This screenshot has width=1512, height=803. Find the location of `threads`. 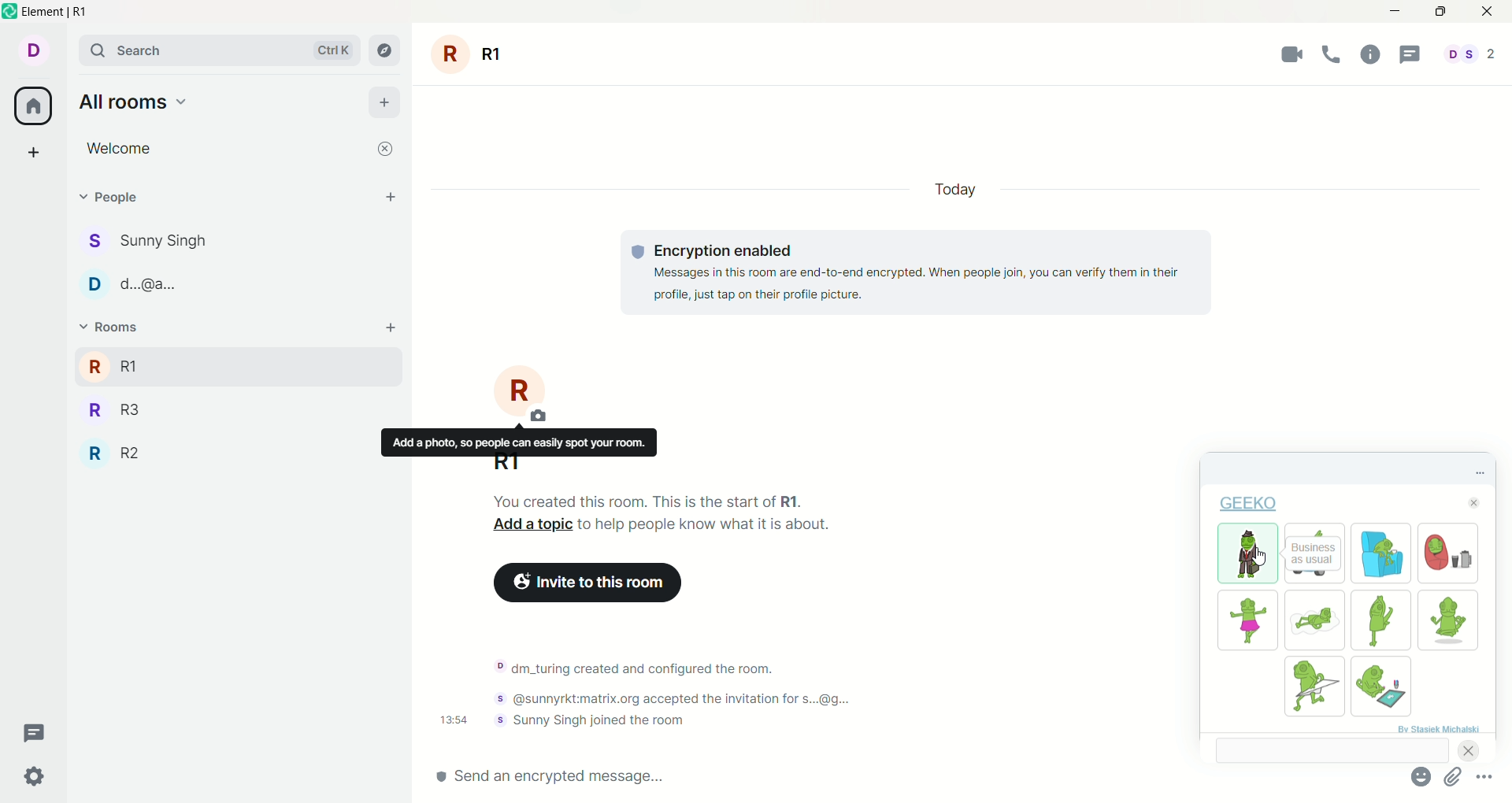

threads is located at coordinates (1410, 54).